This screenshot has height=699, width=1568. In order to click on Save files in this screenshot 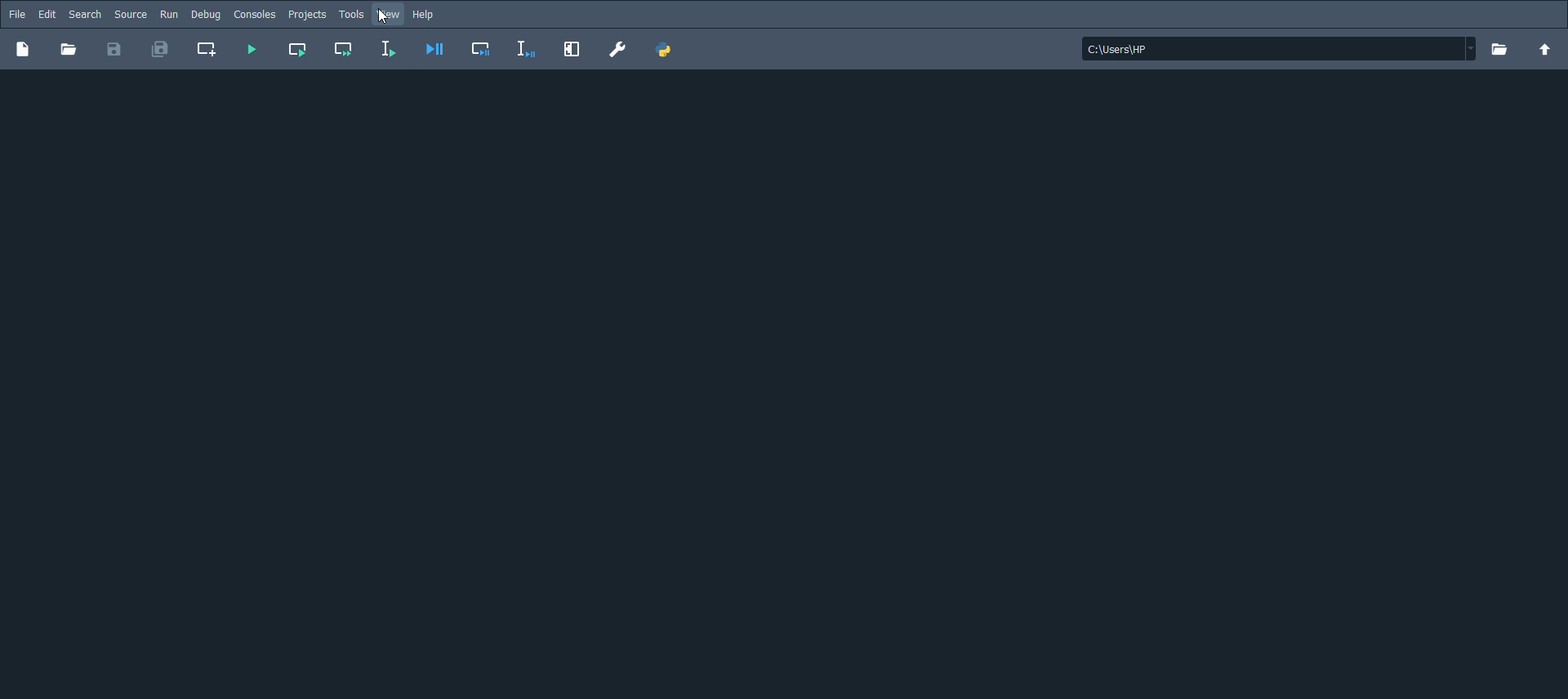, I will do `click(114, 50)`.